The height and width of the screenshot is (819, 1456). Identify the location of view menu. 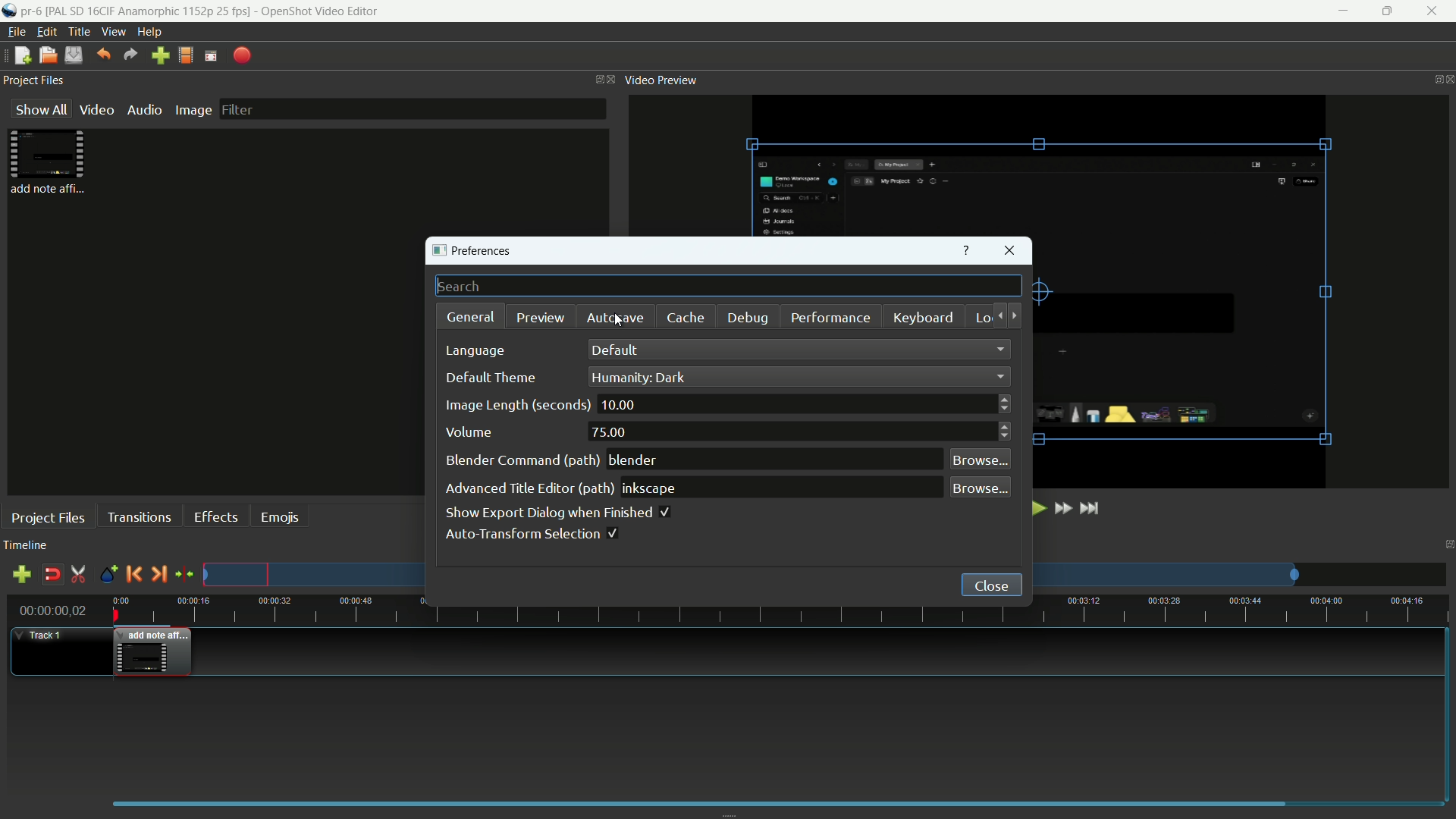
(111, 32).